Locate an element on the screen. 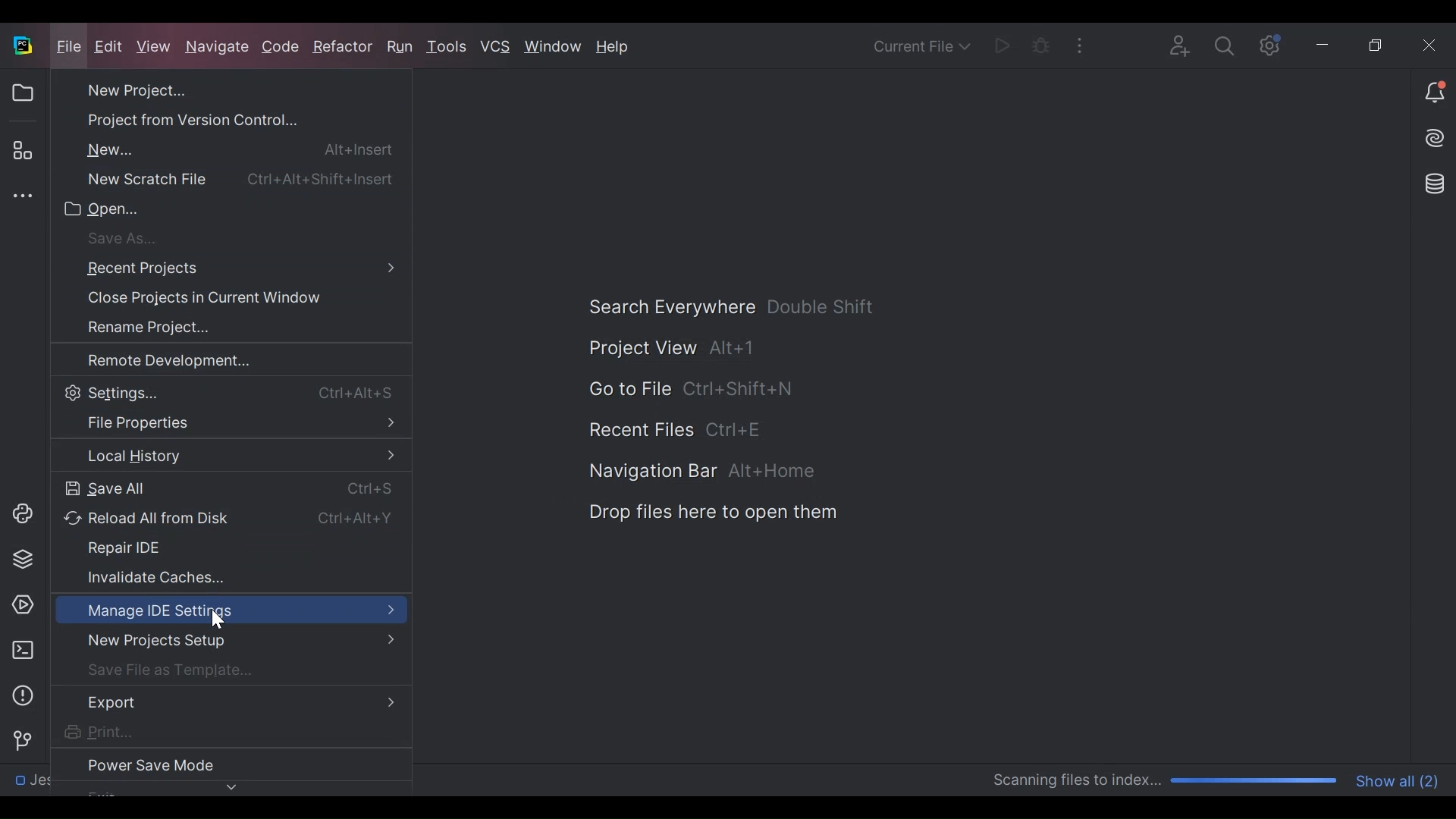 The image size is (1456, 819). Navigation Bar is located at coordinates (698, 472).